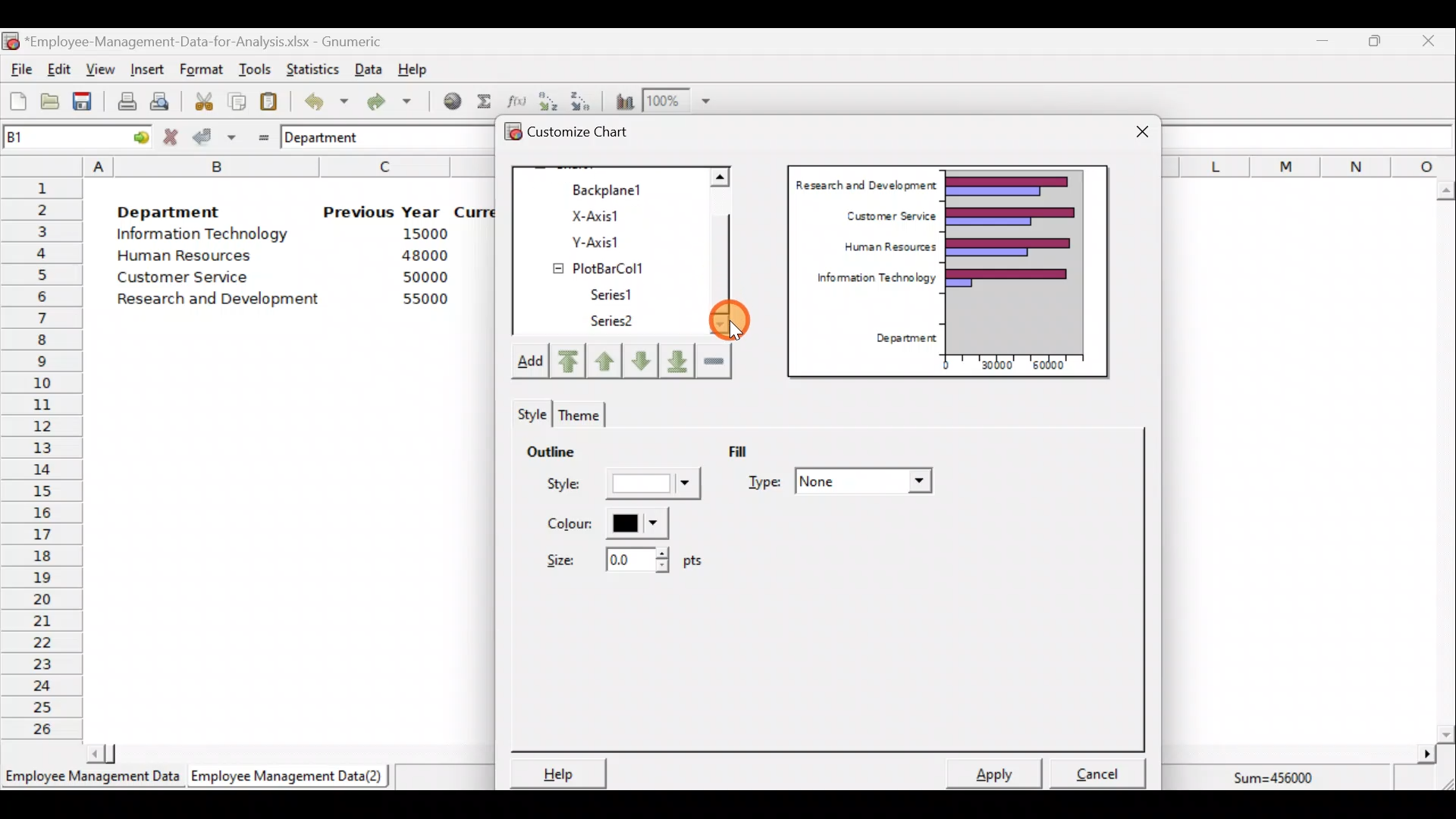 The width and height of the screenshot is (1456, 819). What do you see at coordinates (619, 292) in the screenshot?
I see `Series1` at bounding box center [619, 292].